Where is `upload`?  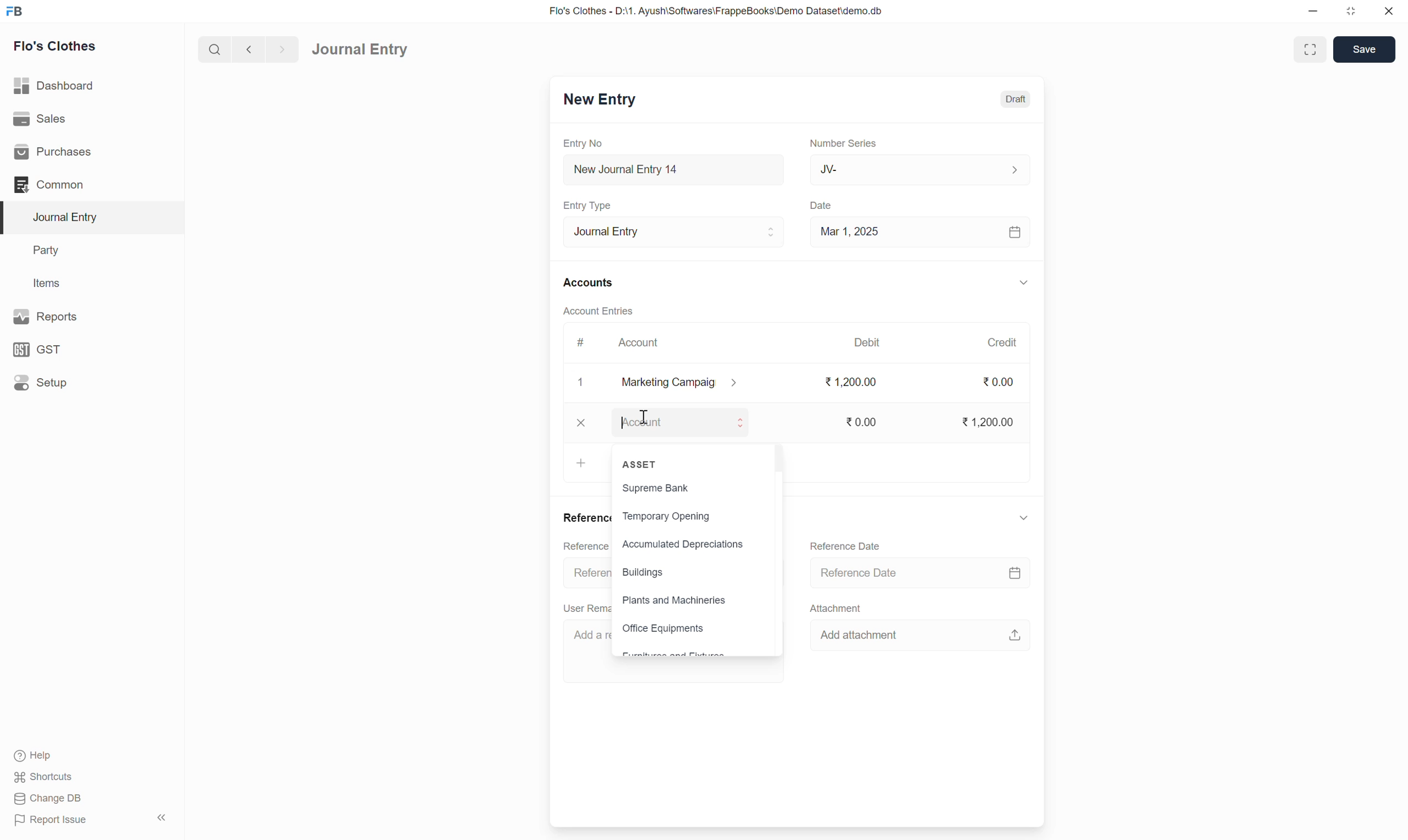 upload is located at coordinates (1015, 636).